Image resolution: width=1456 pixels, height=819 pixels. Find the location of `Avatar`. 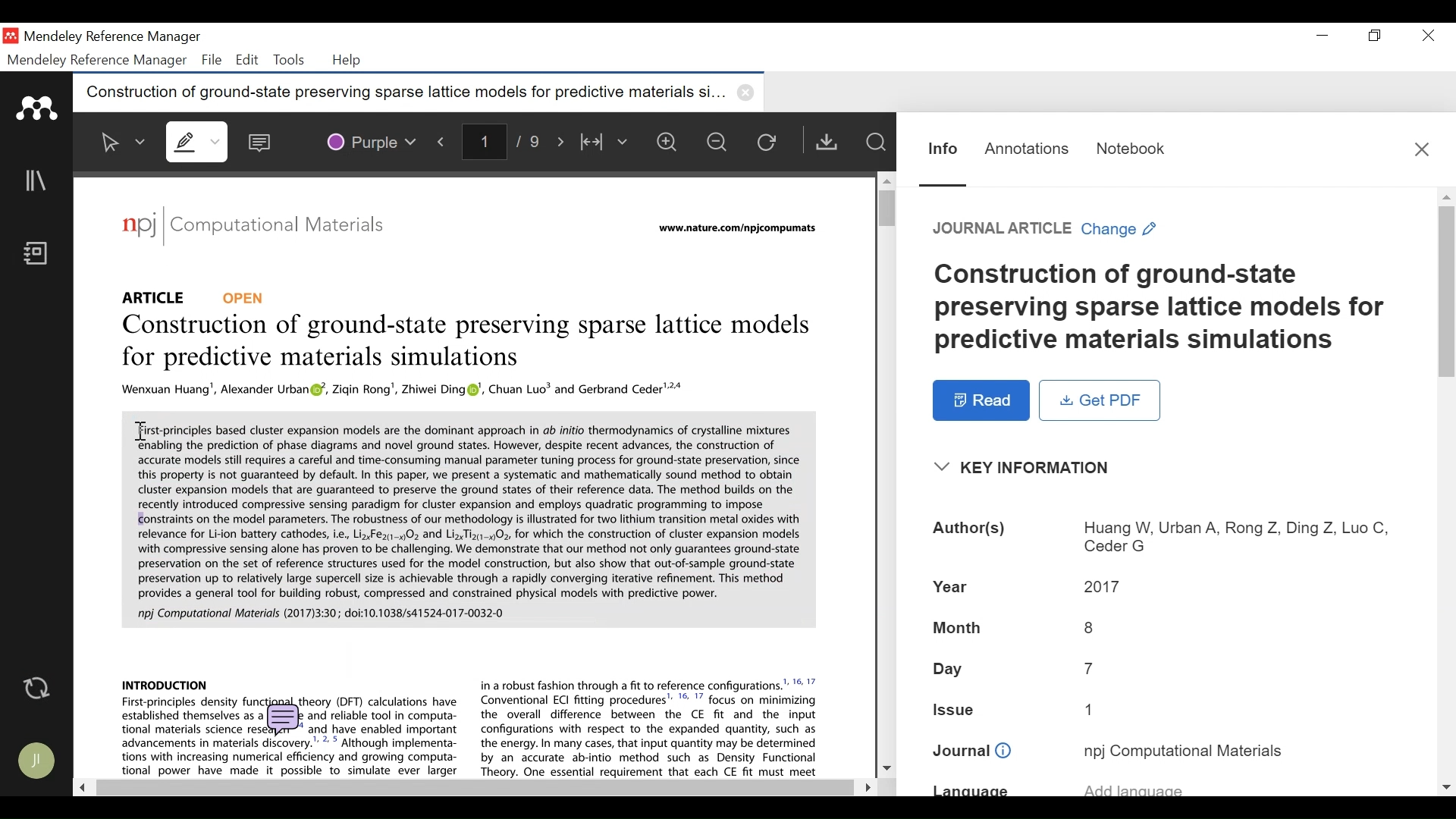

Avatar is located at coordinates (38, 761).